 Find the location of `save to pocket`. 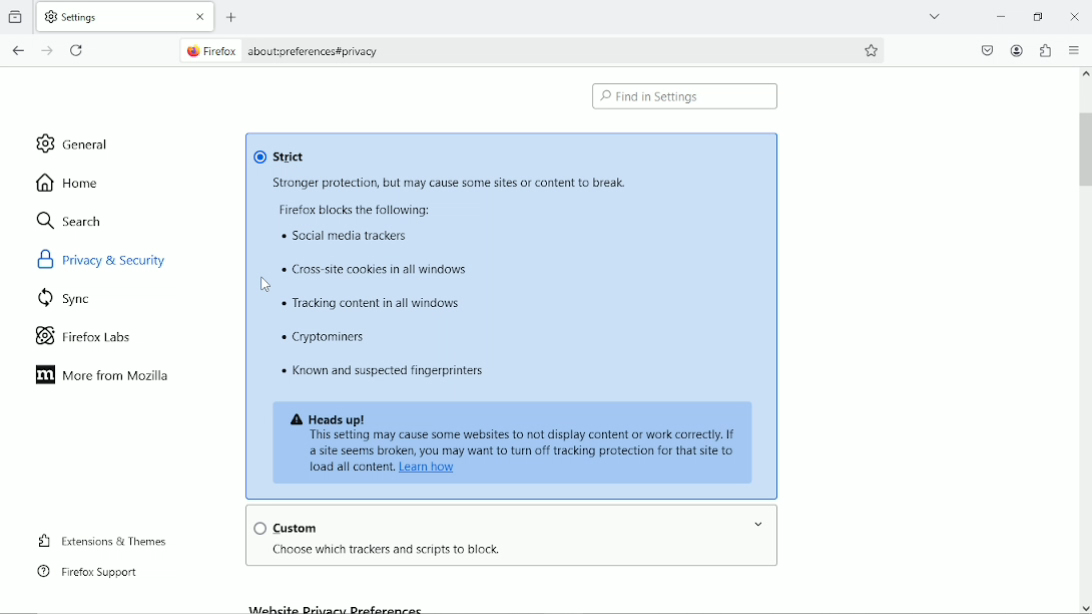

save to pocket is located at coordinates (987, 50).